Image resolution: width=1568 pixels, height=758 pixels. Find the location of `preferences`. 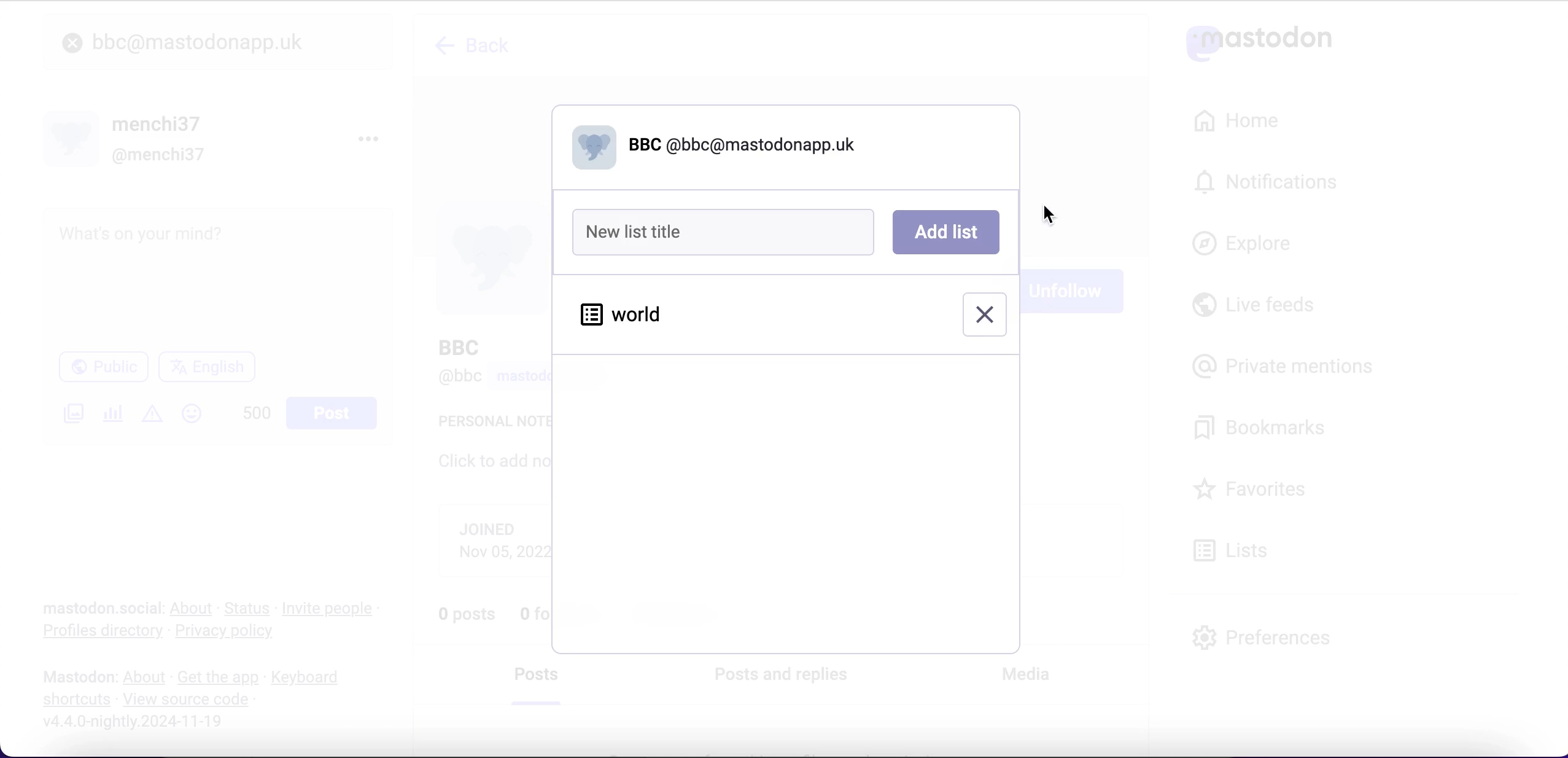

preferences is located at coordinates (1262, 637).